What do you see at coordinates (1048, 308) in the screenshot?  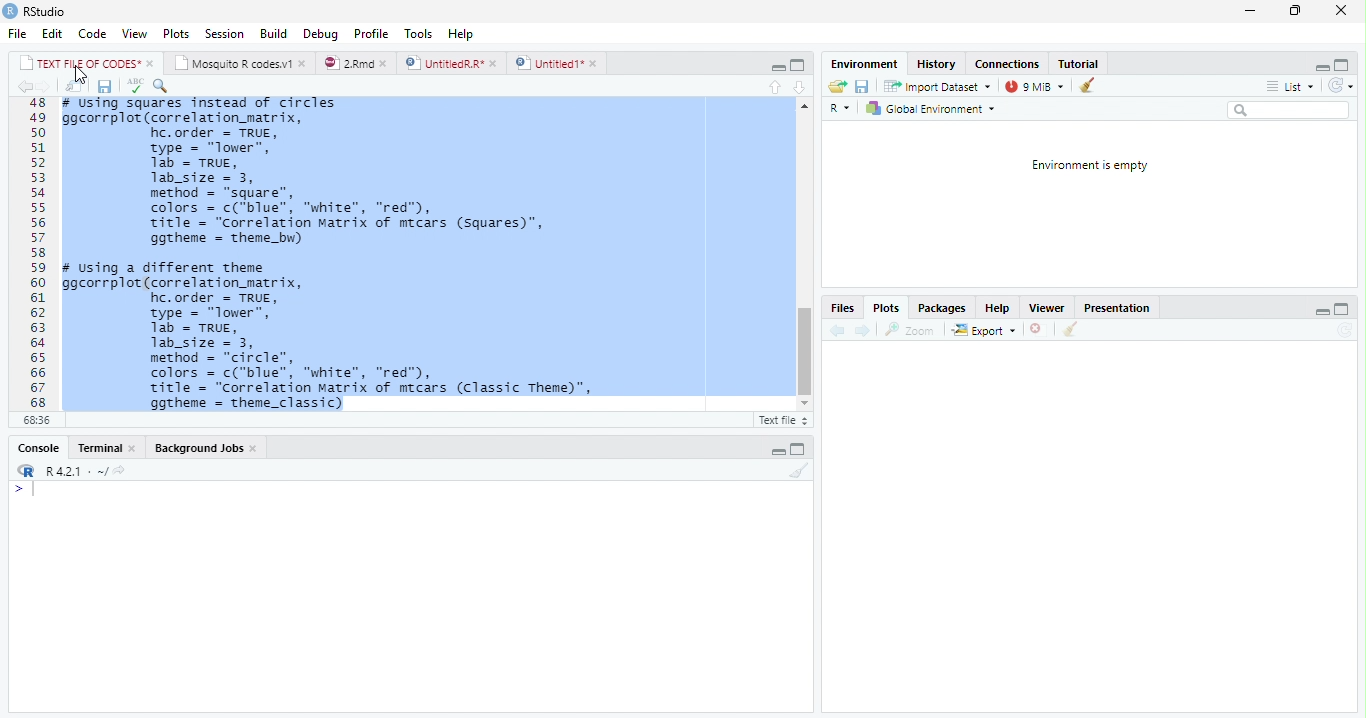 I see `Viewer` at bounding box center [1048, 308].